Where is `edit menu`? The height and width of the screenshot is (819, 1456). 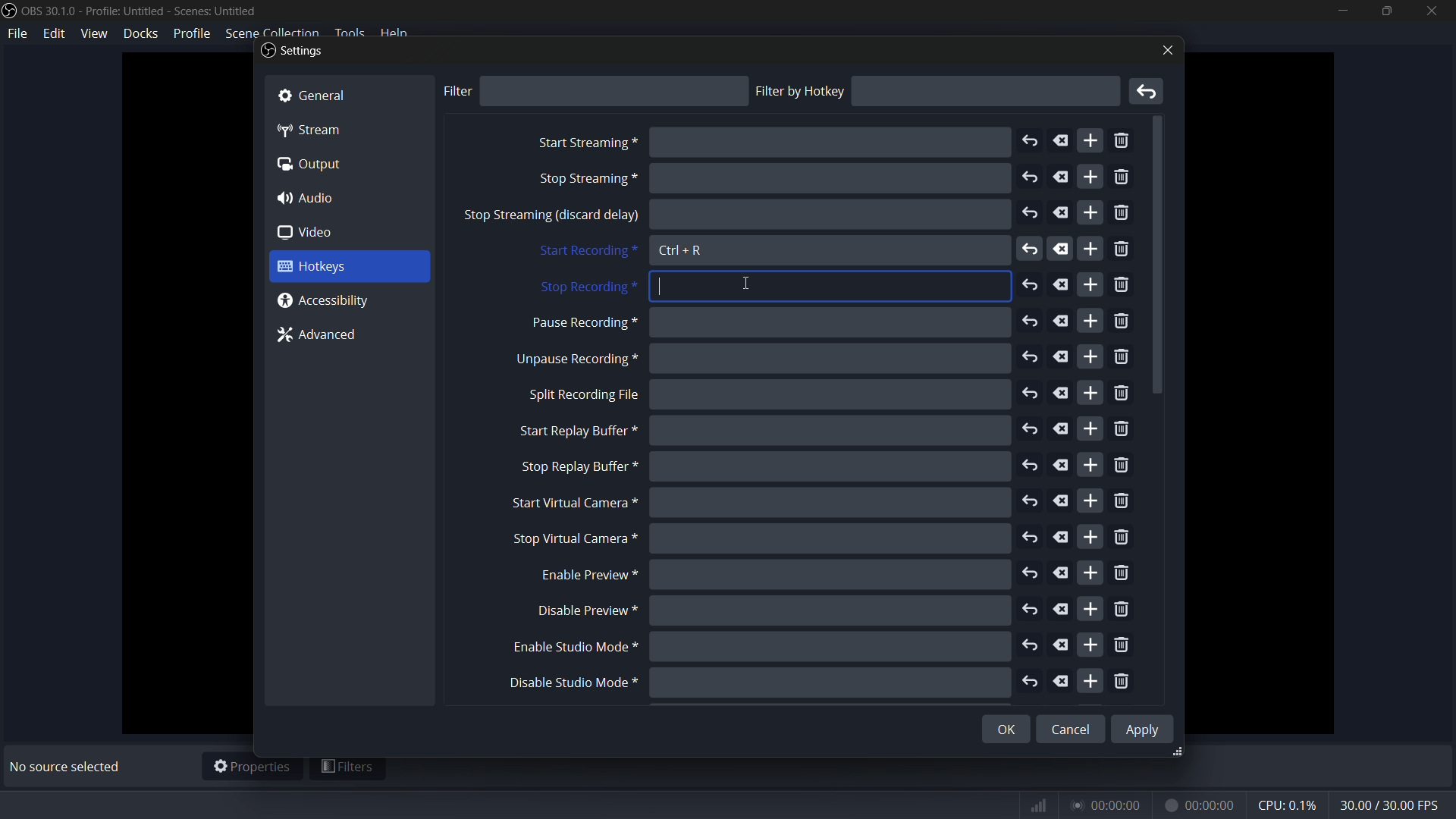
edit menu is located at coordinates (56, 33).